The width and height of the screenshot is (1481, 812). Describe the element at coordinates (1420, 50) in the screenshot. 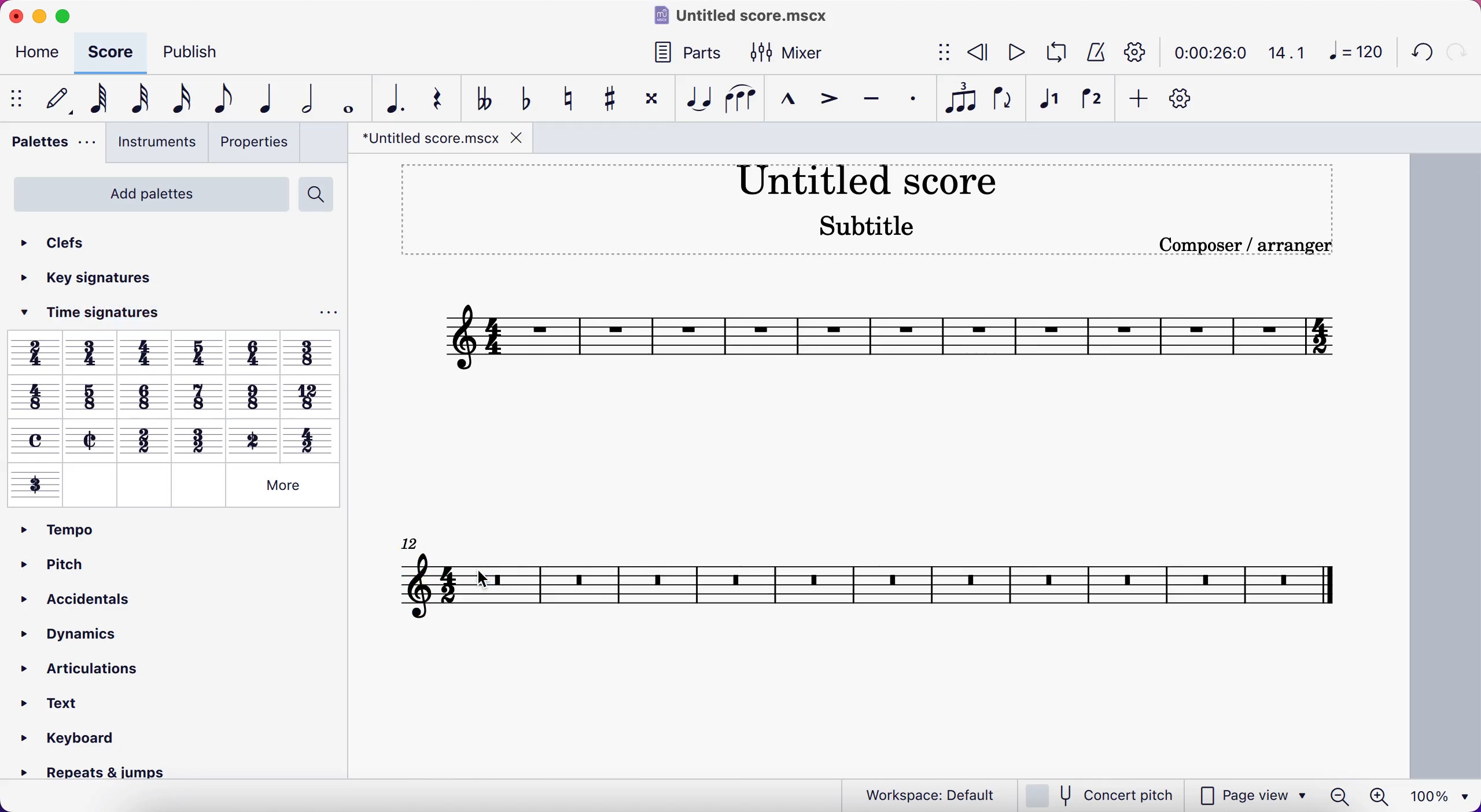

I see `undo` at that location.